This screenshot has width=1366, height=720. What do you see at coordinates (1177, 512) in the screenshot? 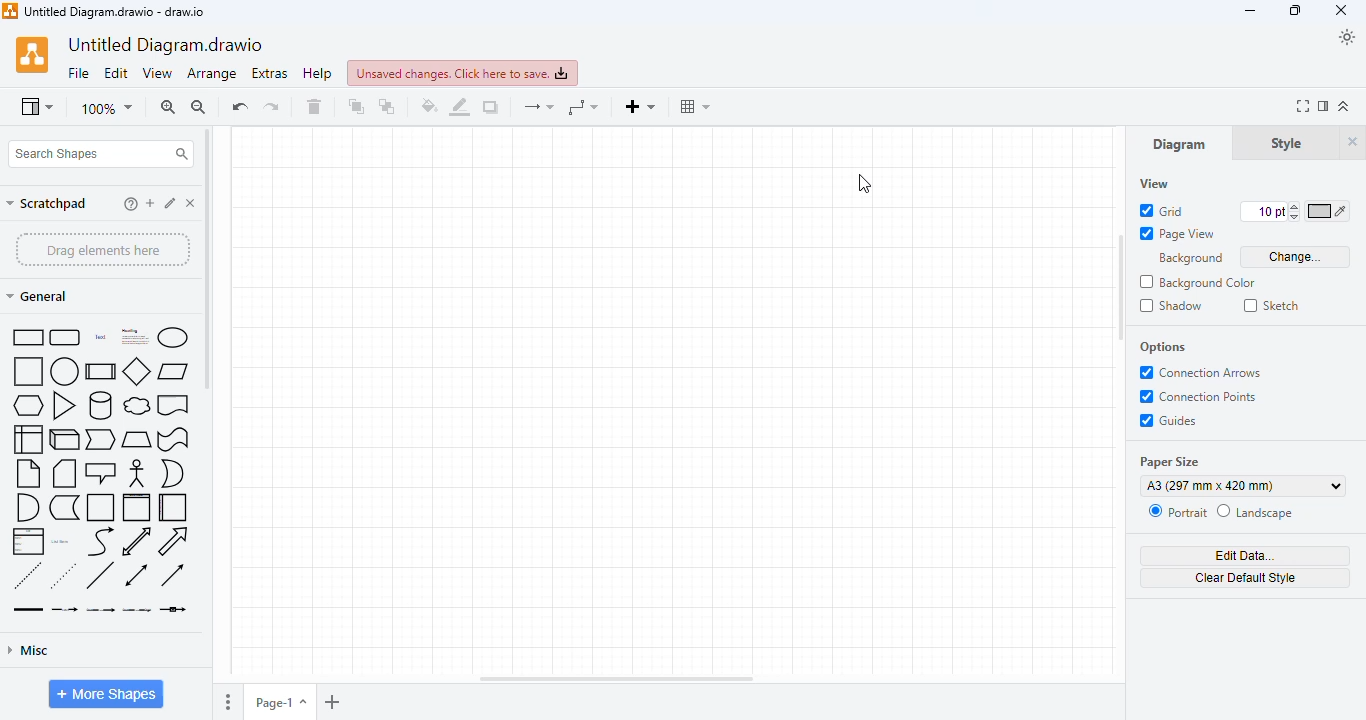
I see `portrait` at bounding box center [1177, 512].